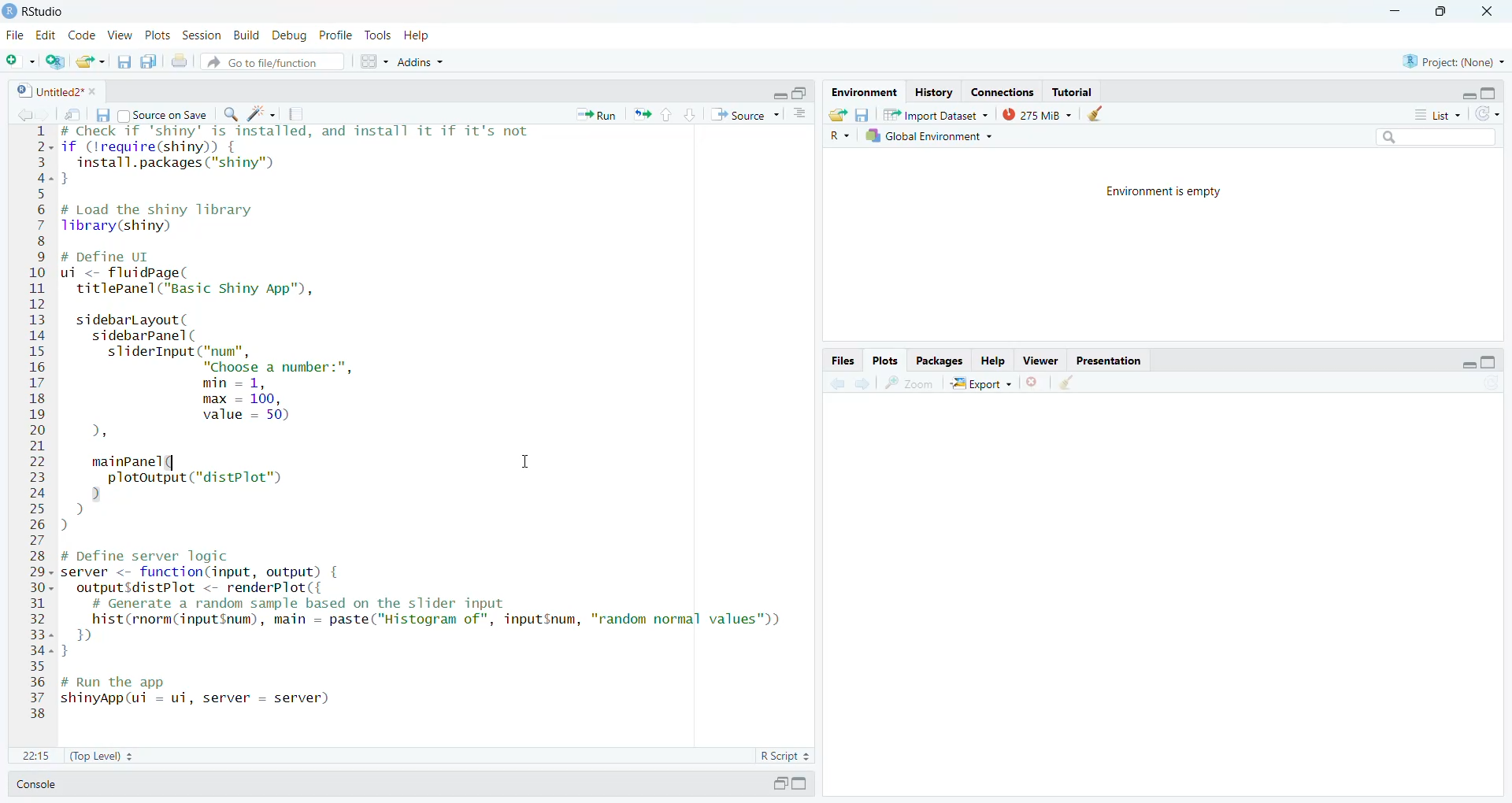 This screenshot has height=803, width=1512. What do you see at coordinates (262, 113) in the screenshot?
I see `code tools` at bounding box center [262, 113].